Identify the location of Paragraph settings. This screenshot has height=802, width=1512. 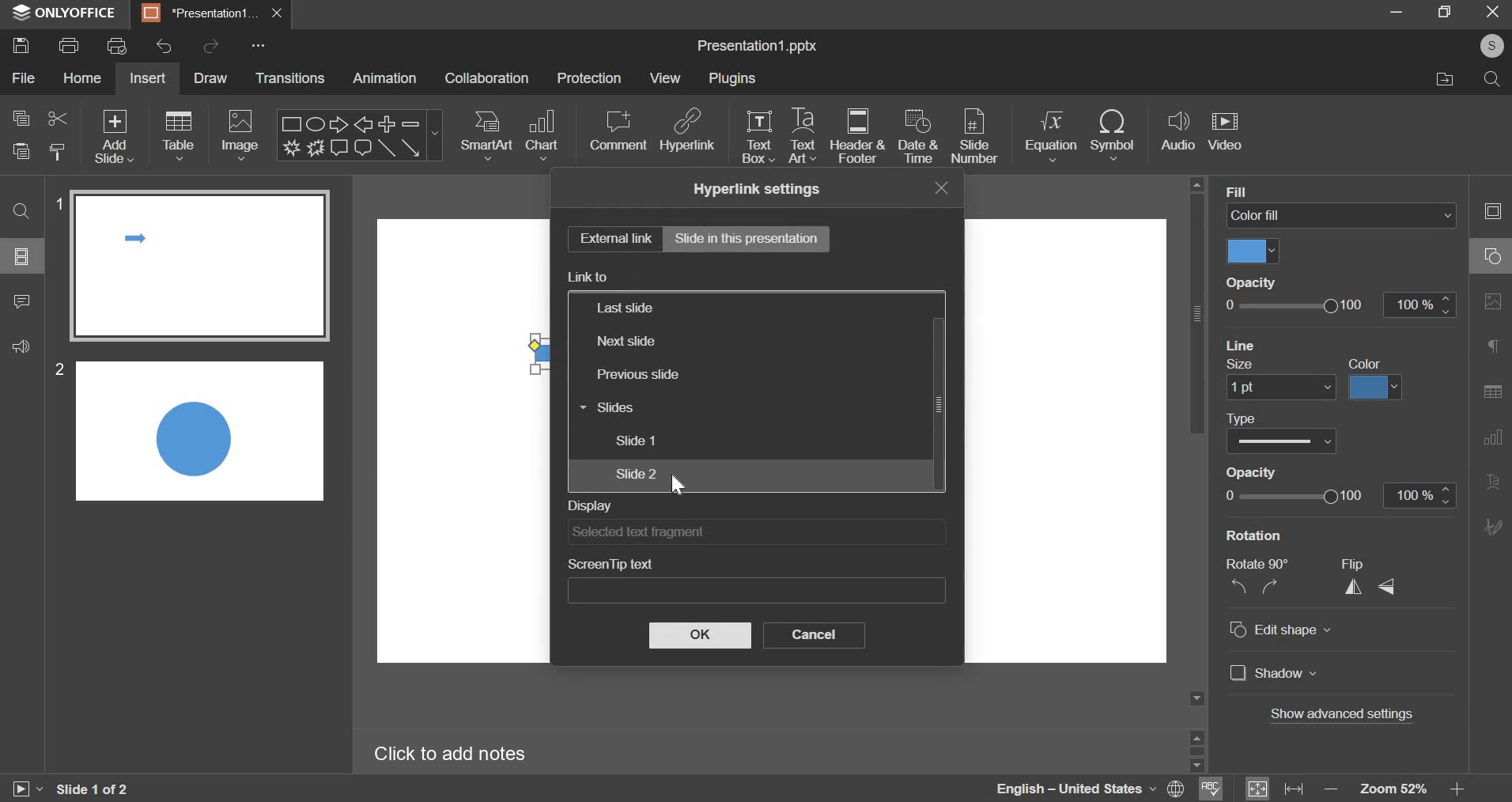
(1496, 347).